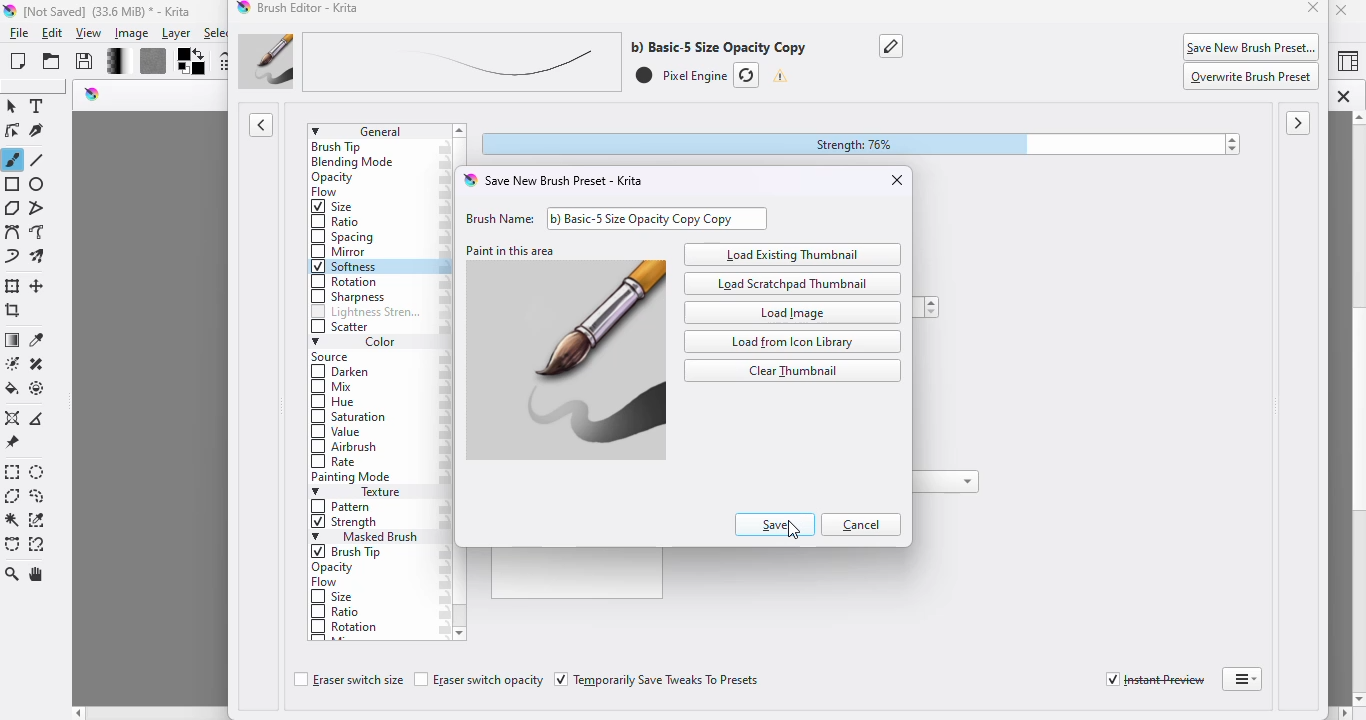 The width and height of the screenshot is (1366, 720). What do you see at coordinates (347, 681) in the screenshot?
I see `eraser switch size` at bounding box center [347, 681].